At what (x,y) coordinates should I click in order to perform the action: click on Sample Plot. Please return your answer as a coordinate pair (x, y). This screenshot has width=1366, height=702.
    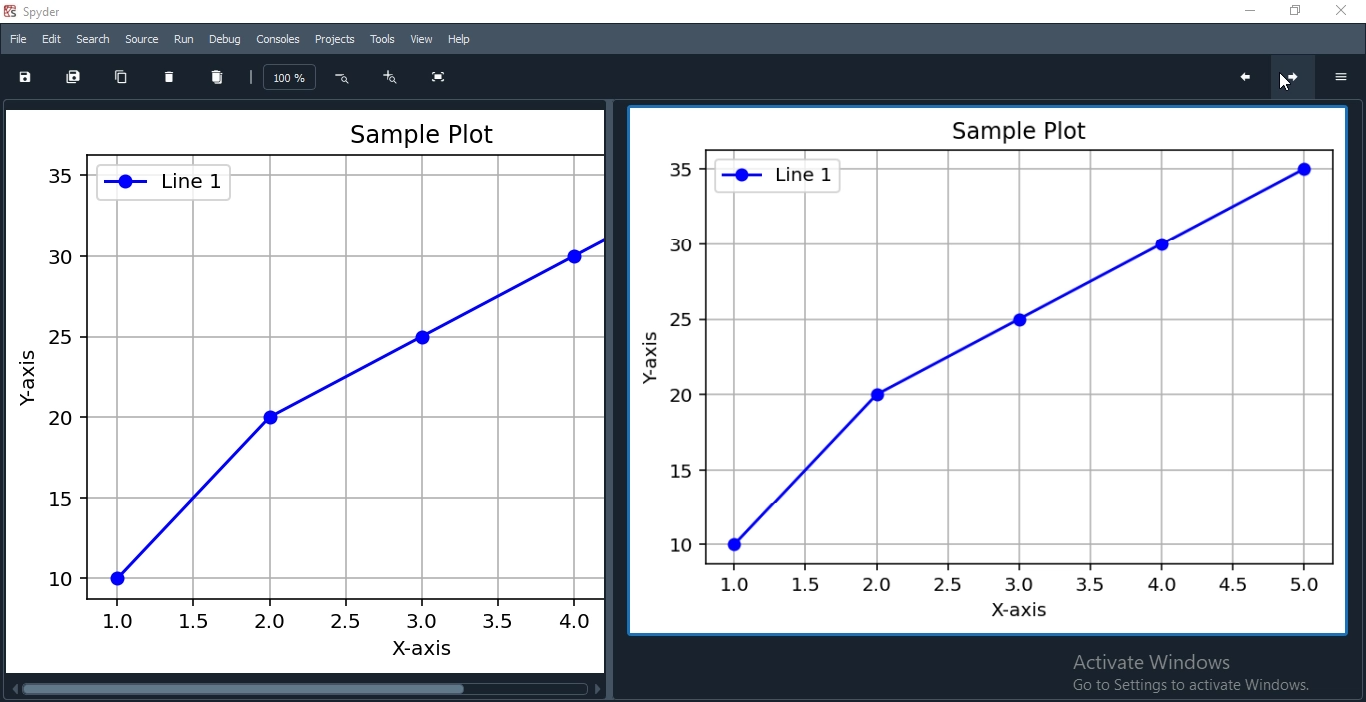
    Looking at the image, I should click on (981, 372).